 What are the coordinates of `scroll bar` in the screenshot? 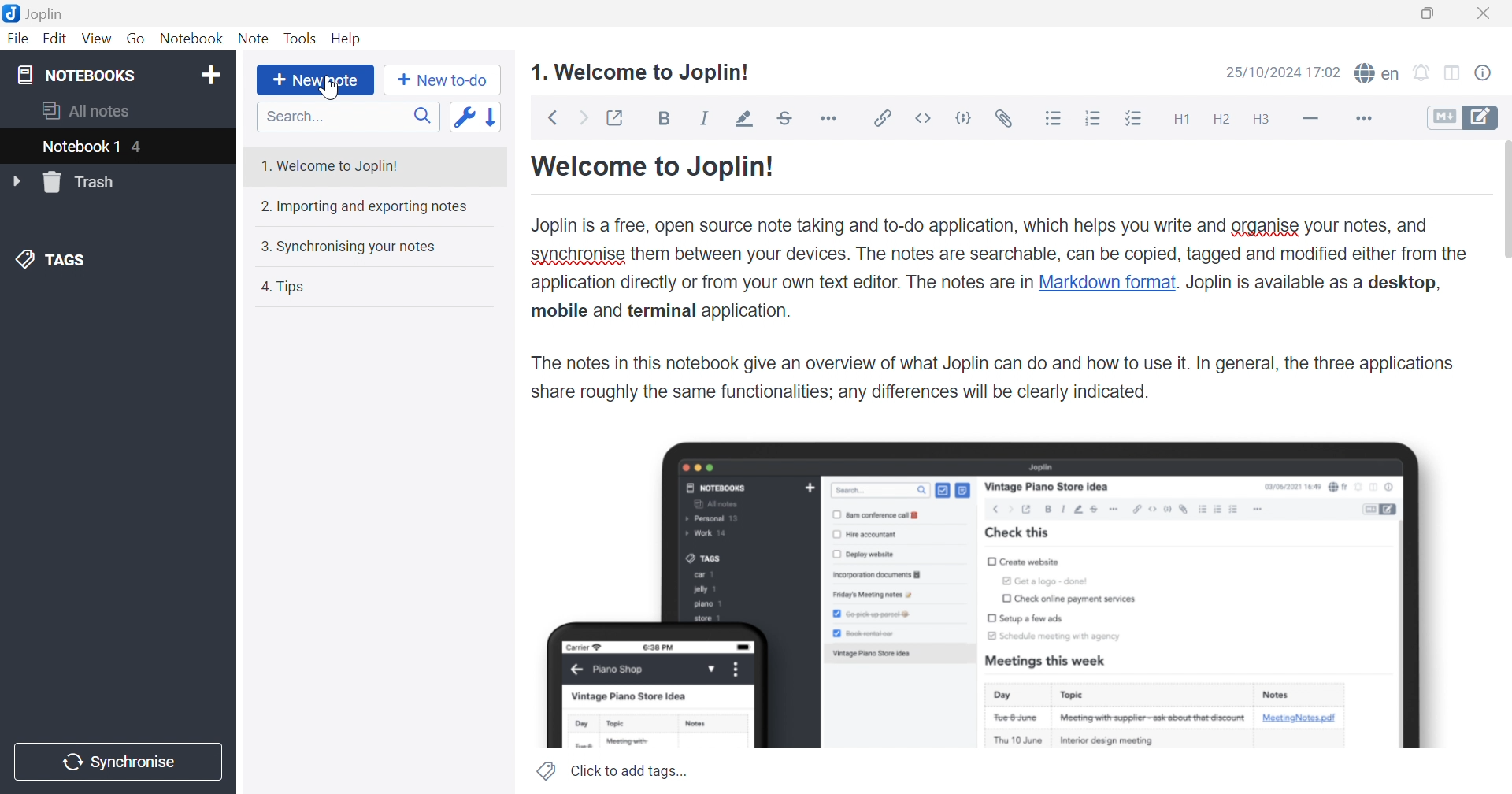 It's located at (1504, 198).